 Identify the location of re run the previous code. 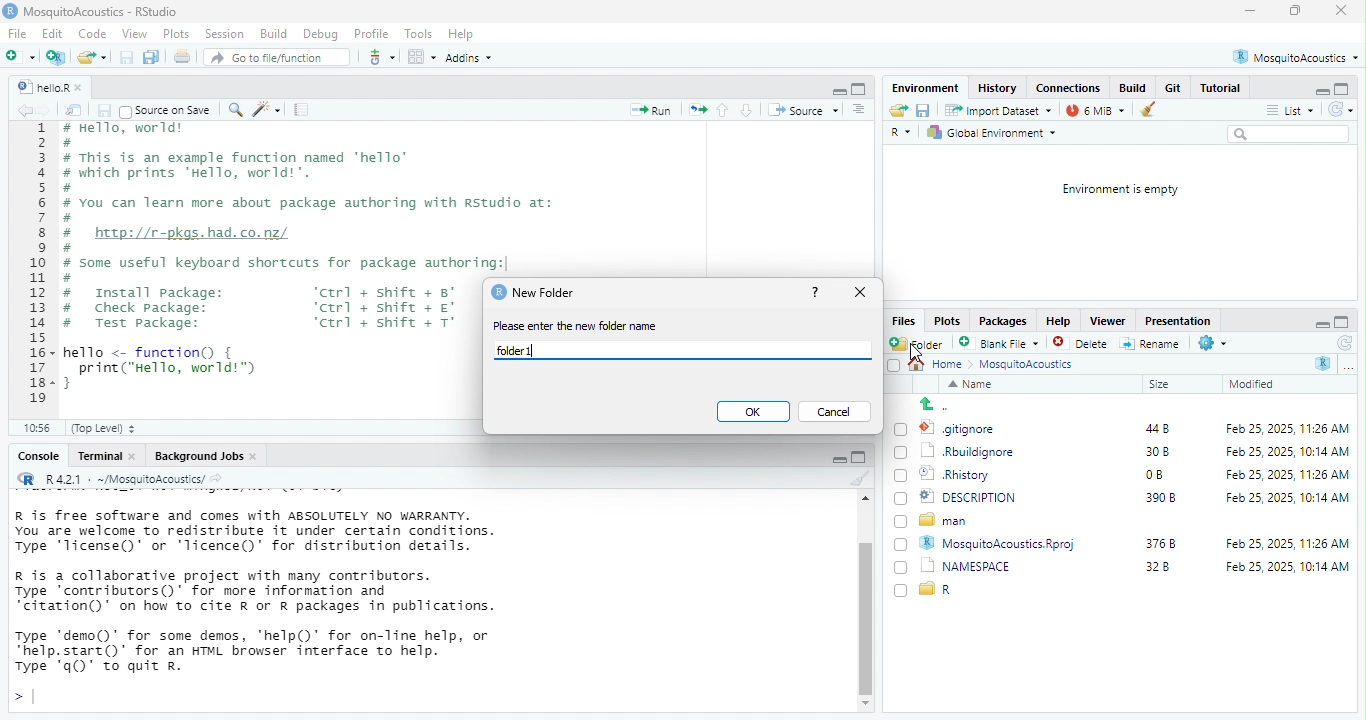
(695, 110).